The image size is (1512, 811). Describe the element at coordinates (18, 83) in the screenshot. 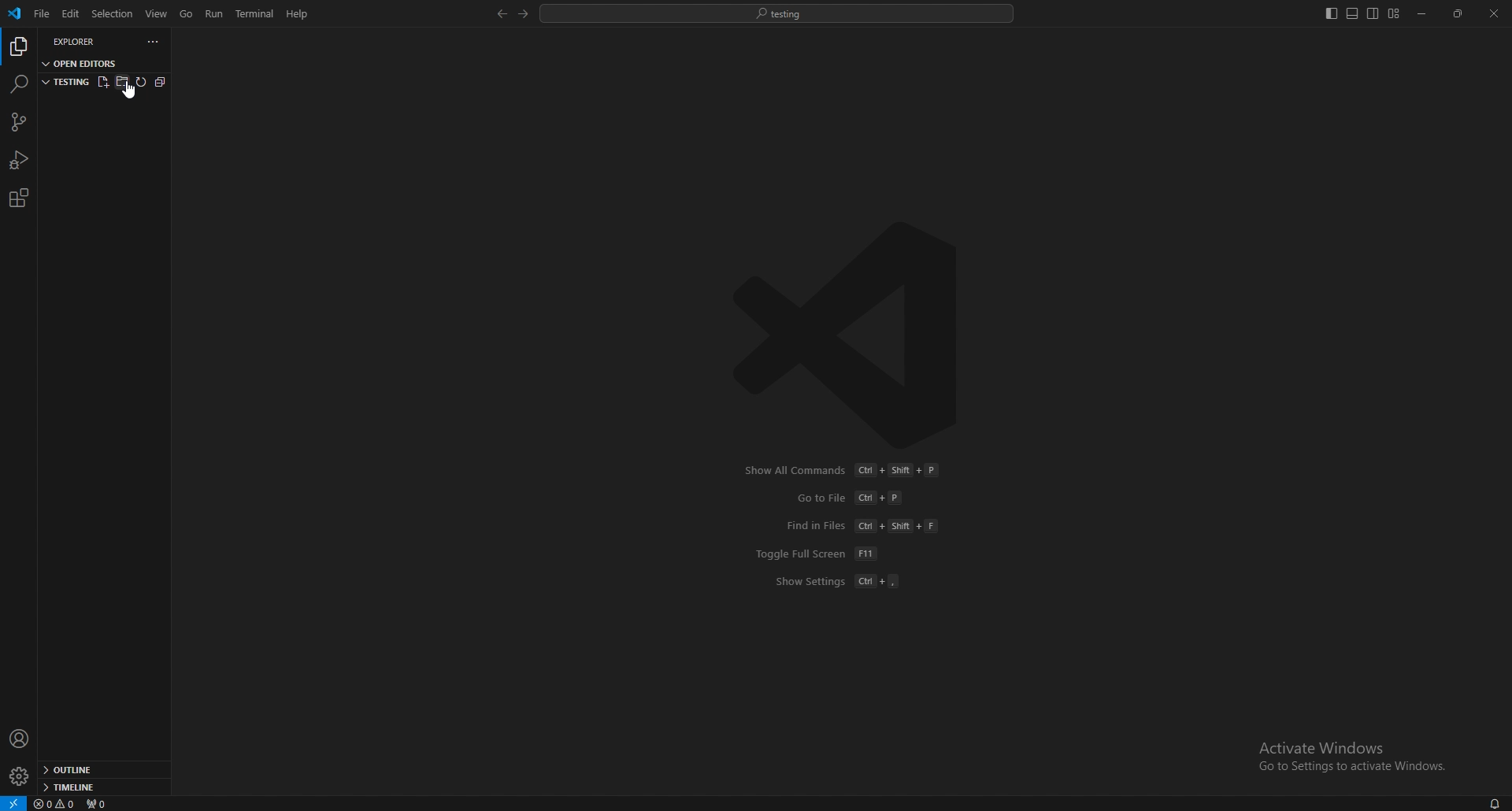

I see `search` at that location.